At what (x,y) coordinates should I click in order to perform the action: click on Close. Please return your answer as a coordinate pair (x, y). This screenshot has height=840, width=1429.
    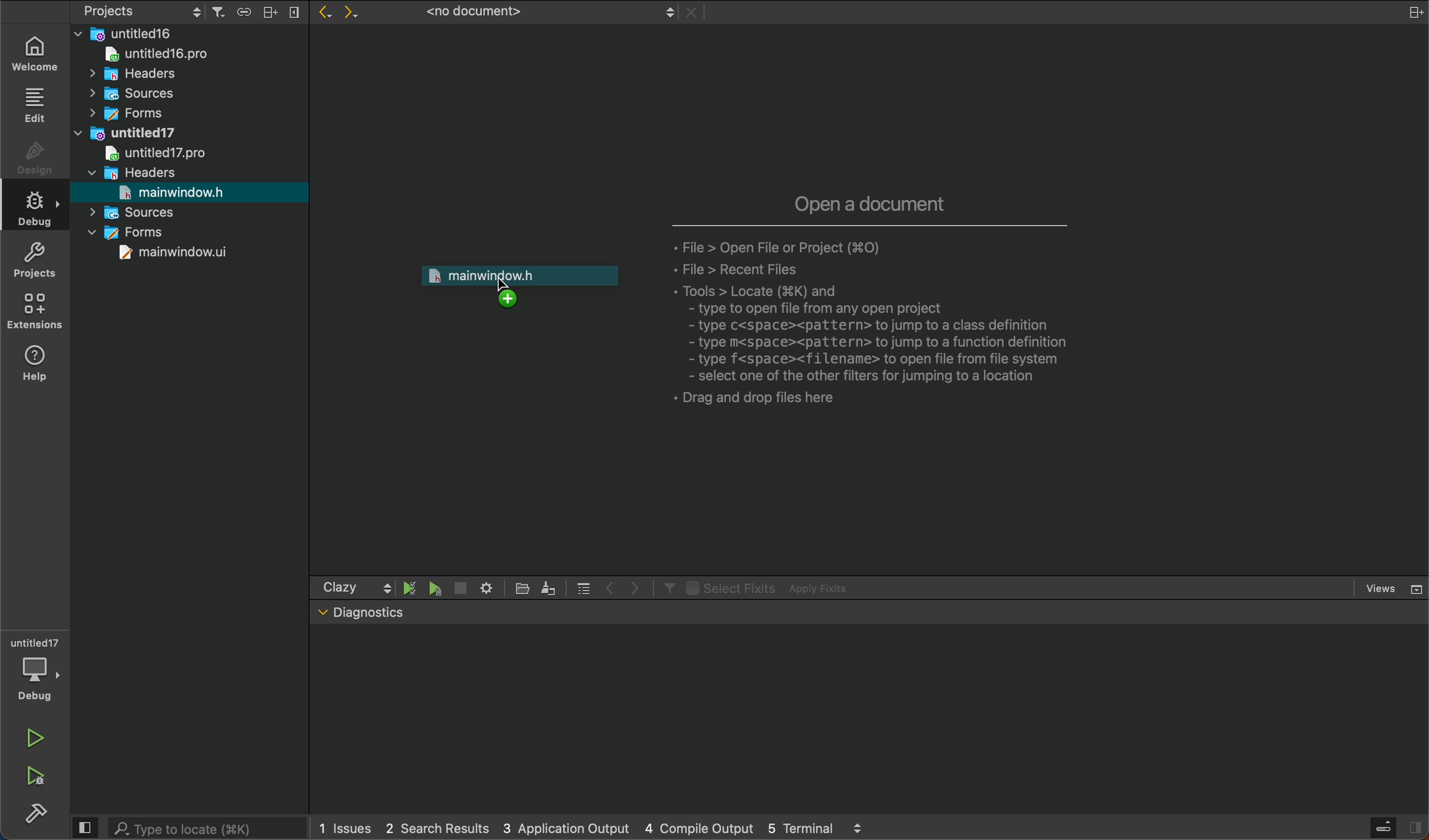
    Looking at the image, I should click on (694, 12).